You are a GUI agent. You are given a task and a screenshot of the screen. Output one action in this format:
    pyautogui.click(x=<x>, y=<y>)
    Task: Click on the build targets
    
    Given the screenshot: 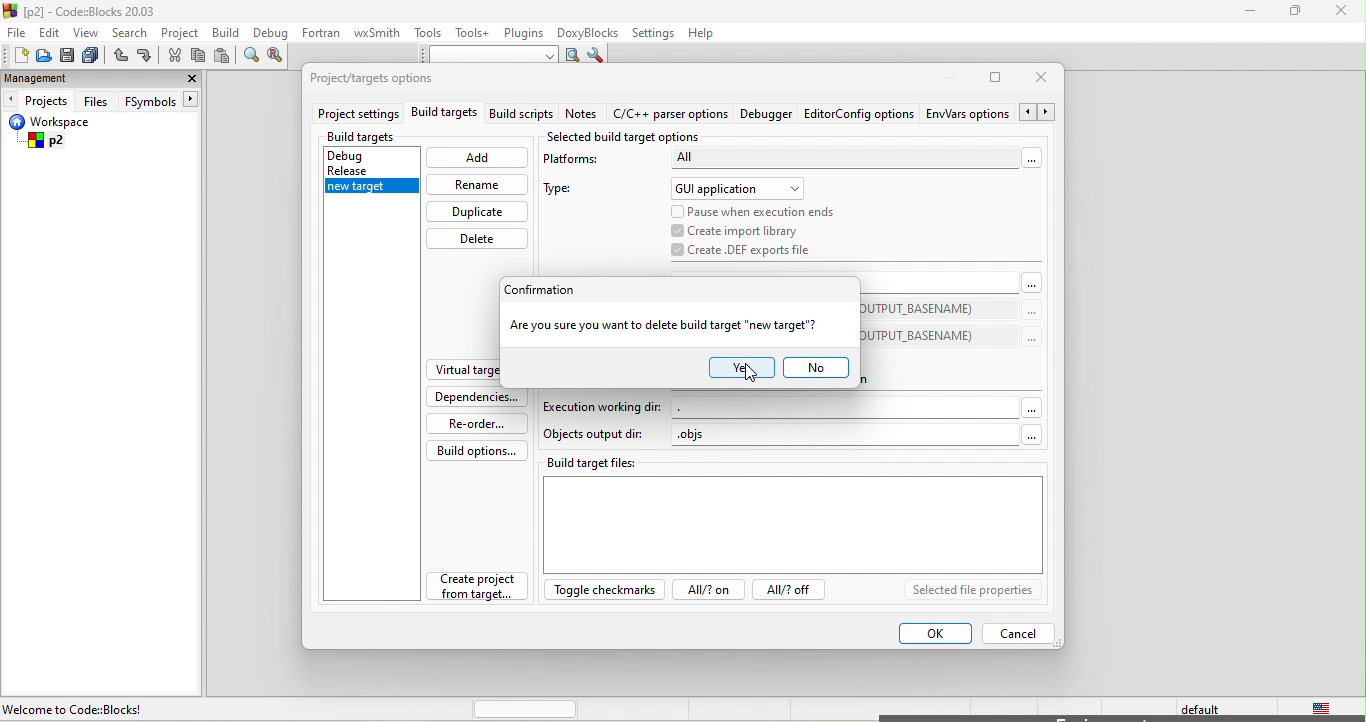 What is the action you would take?
    pyautogui.click(x=379, y=137)
    